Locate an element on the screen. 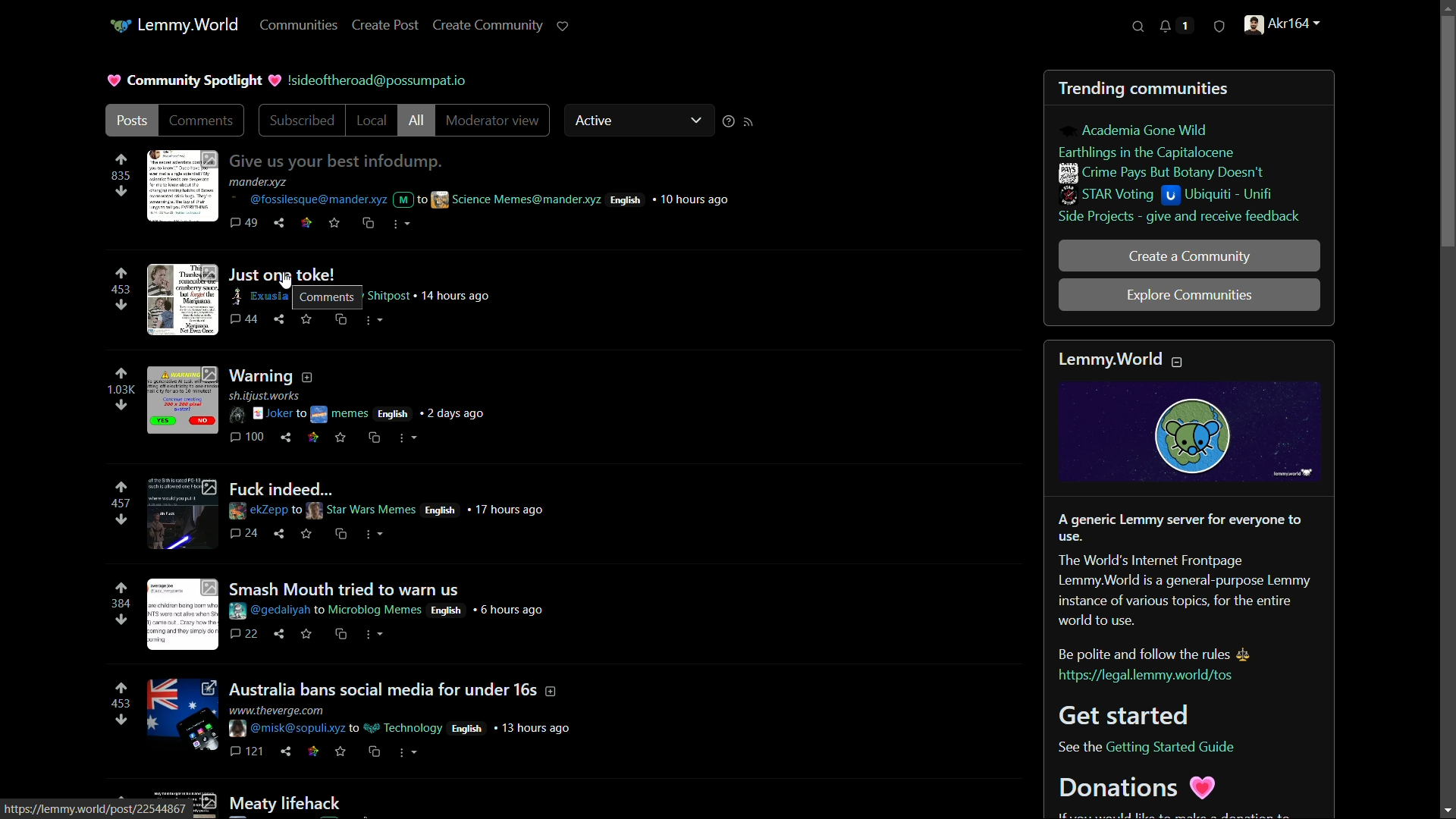 This screenshot has width=1456, height=819. Microblog Memes is located at coordinates (375, 611).